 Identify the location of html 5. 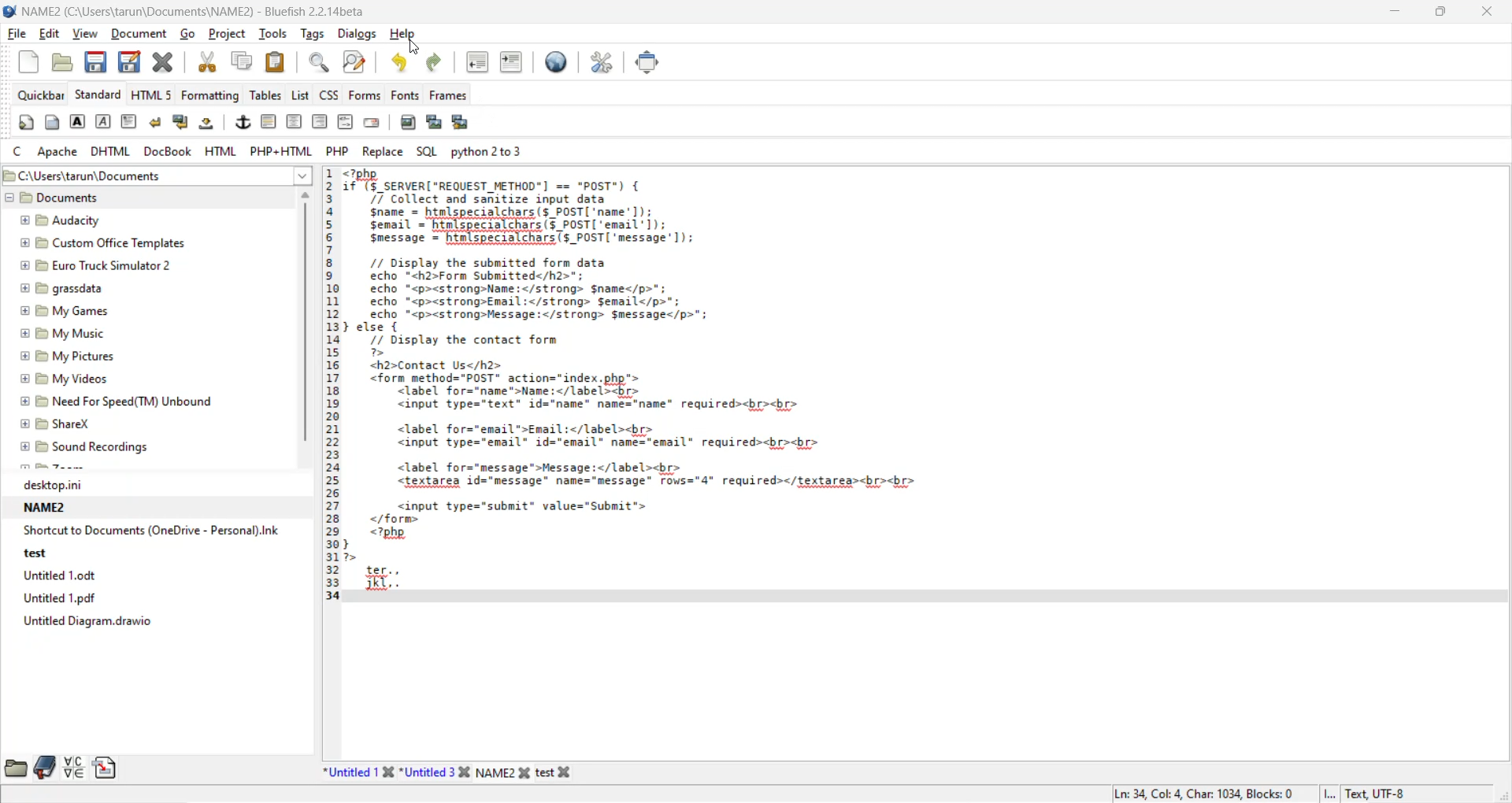
(152, 94).